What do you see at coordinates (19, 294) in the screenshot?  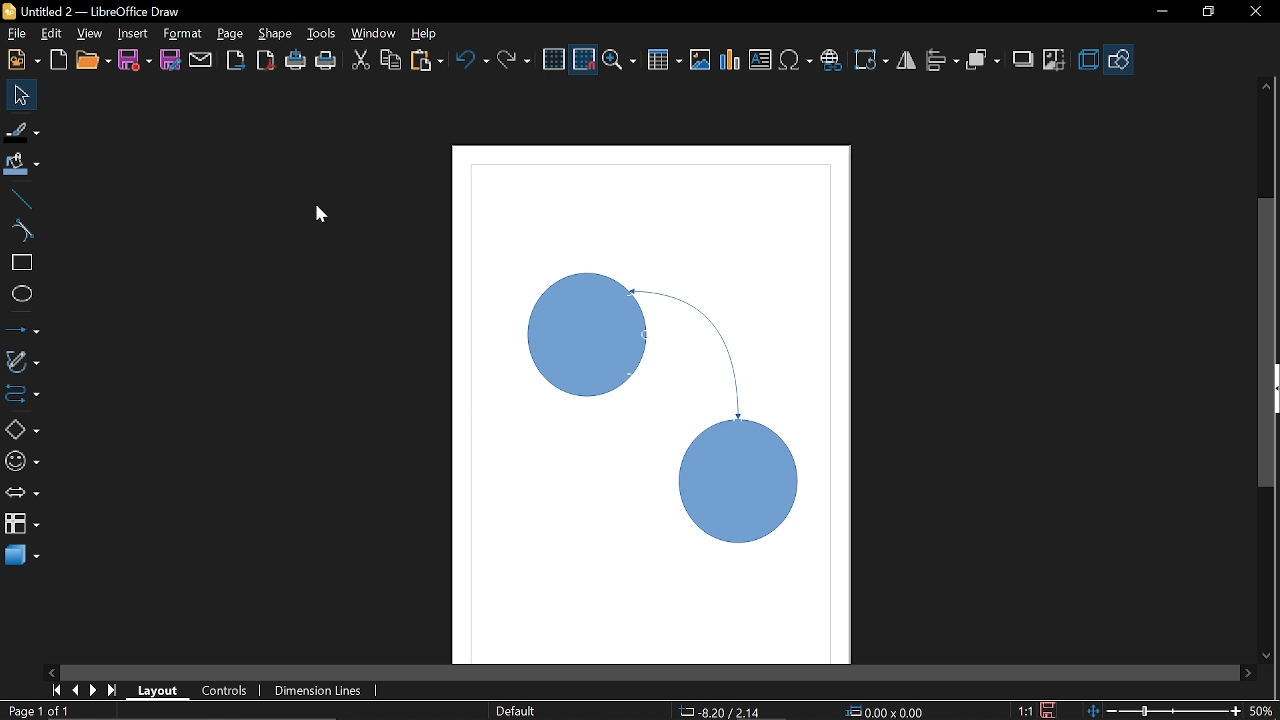 I see `Ellipse` at bounding box center [19, 294].